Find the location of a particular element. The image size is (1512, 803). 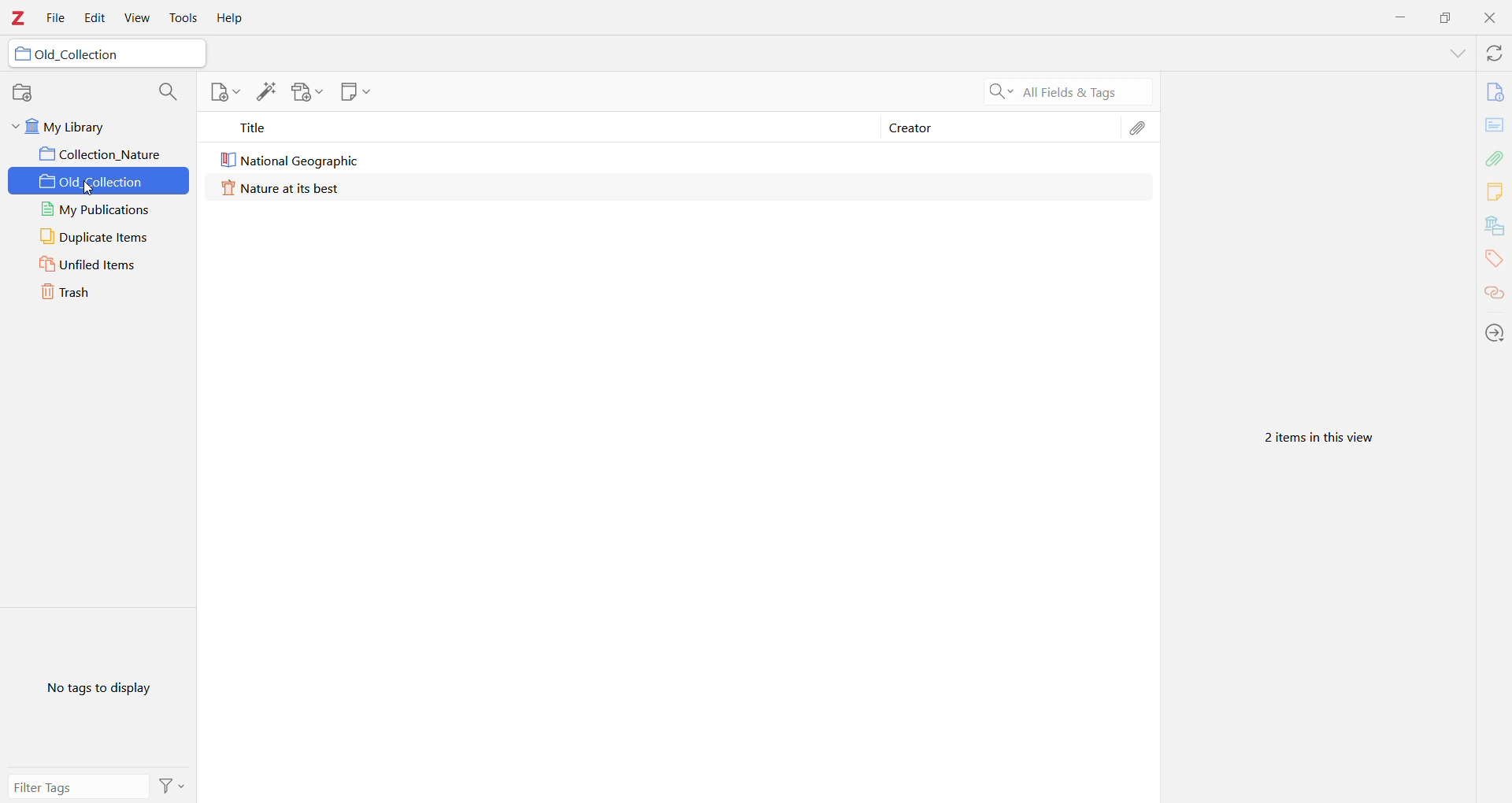

New Note is located at coordinates (357, 94).